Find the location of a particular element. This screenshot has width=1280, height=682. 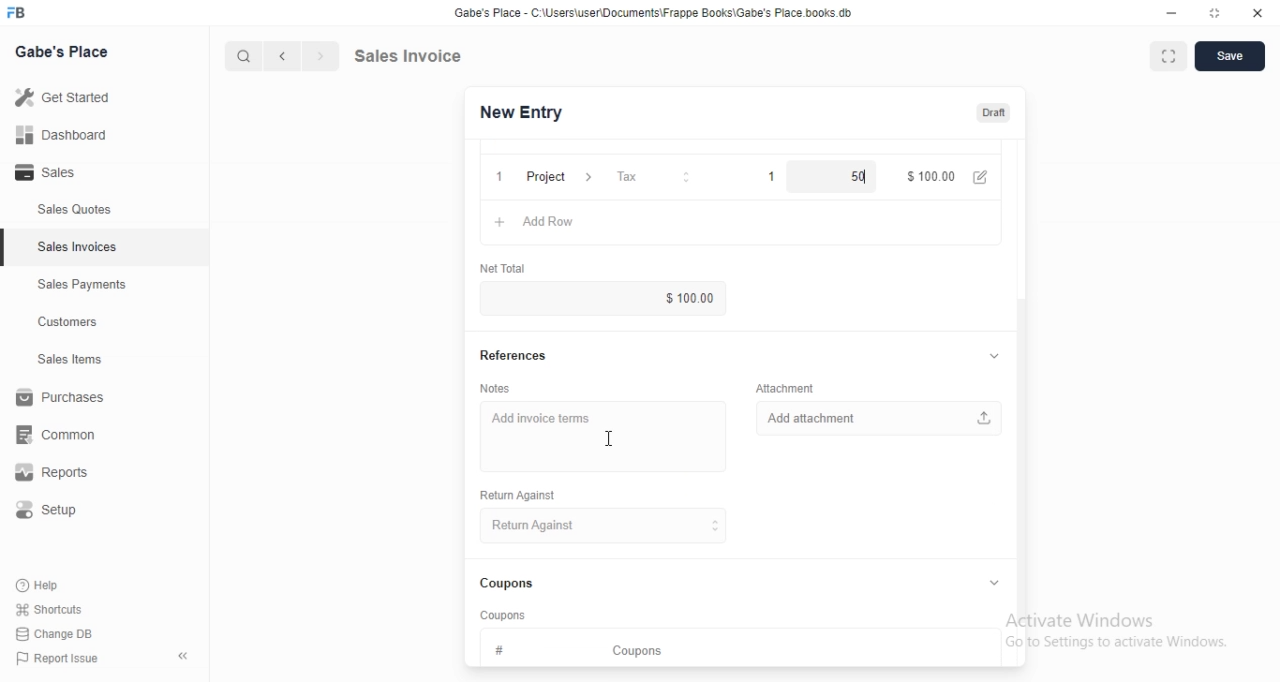

close is located at coordinates (1257, 14).